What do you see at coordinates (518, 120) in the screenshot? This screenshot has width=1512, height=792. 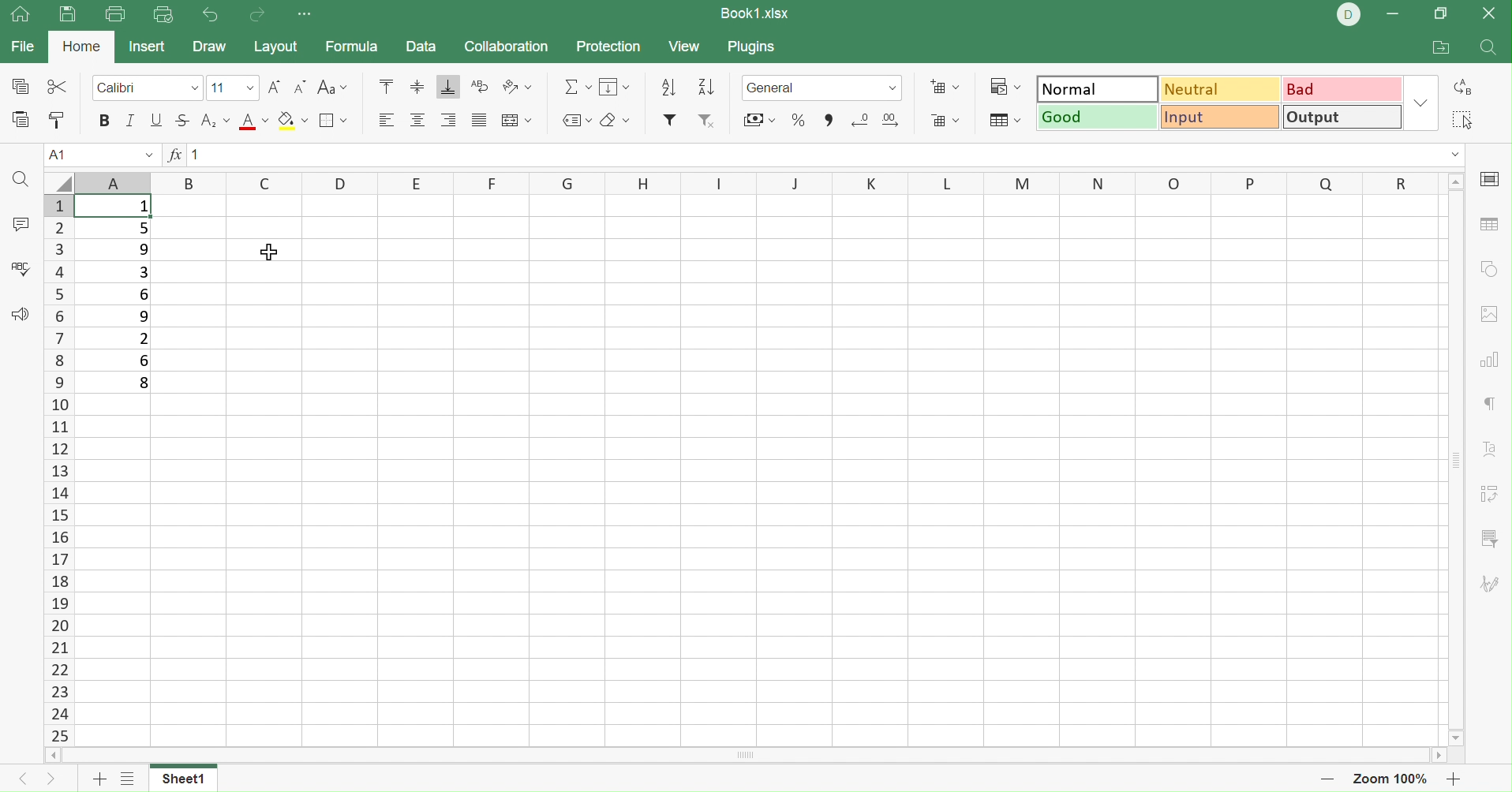 I see `Merge and ceter` at bounding box center [518, 120].